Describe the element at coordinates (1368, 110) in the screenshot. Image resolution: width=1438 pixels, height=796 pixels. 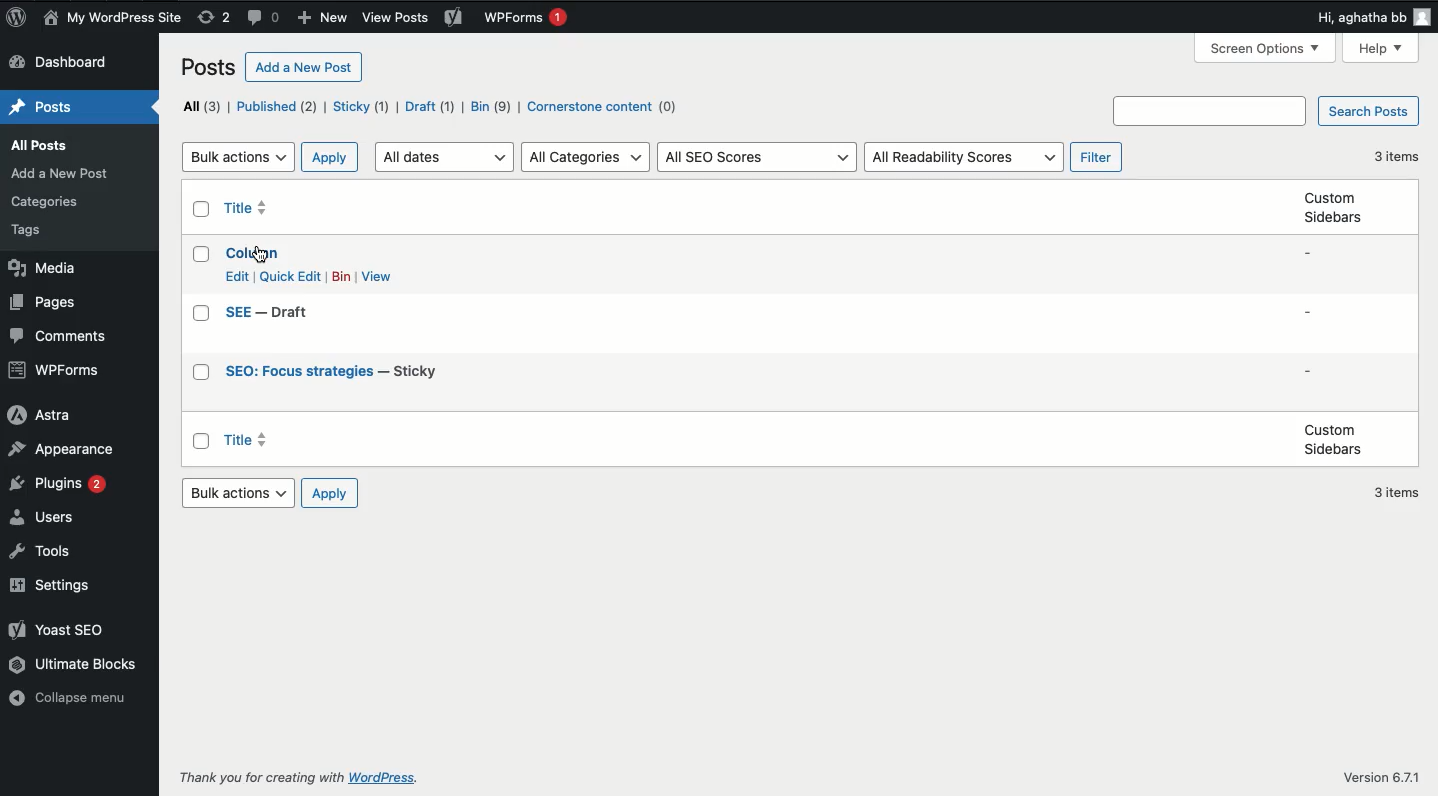
I see `Search posts` at that location.